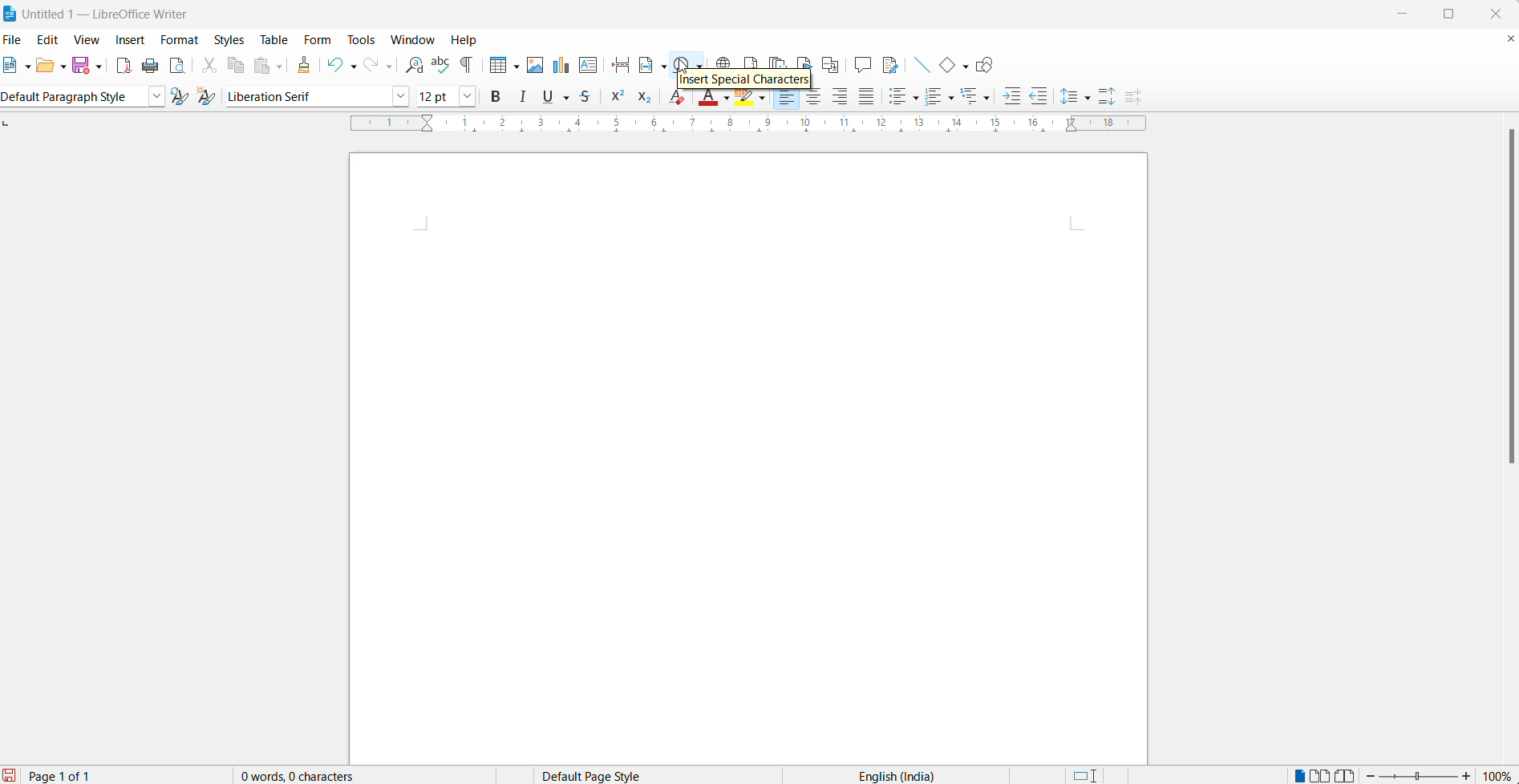  I want to click on help, so click(471, 42).